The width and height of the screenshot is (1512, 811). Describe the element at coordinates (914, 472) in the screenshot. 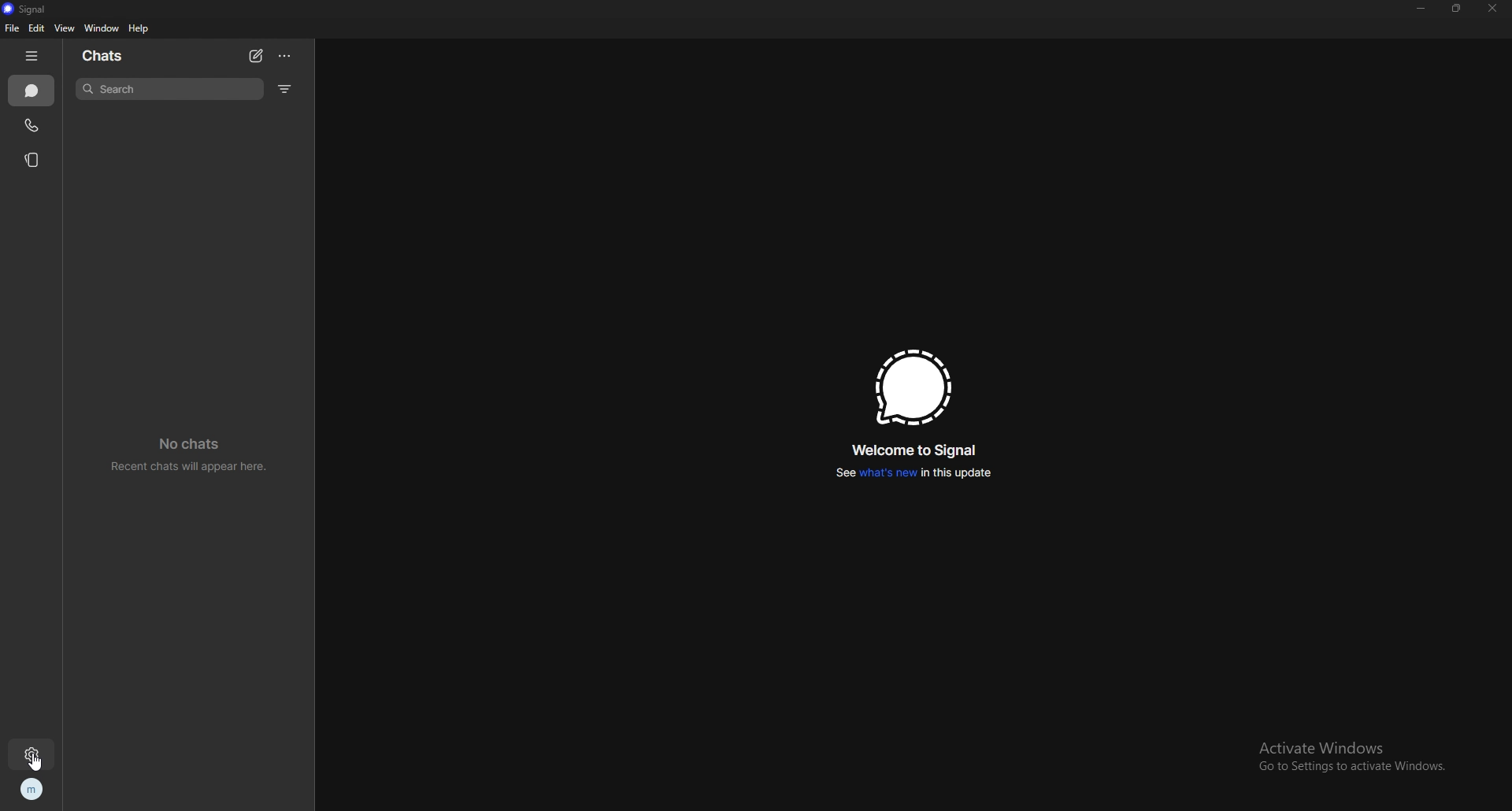

I see `see what's new in this update` at that location.